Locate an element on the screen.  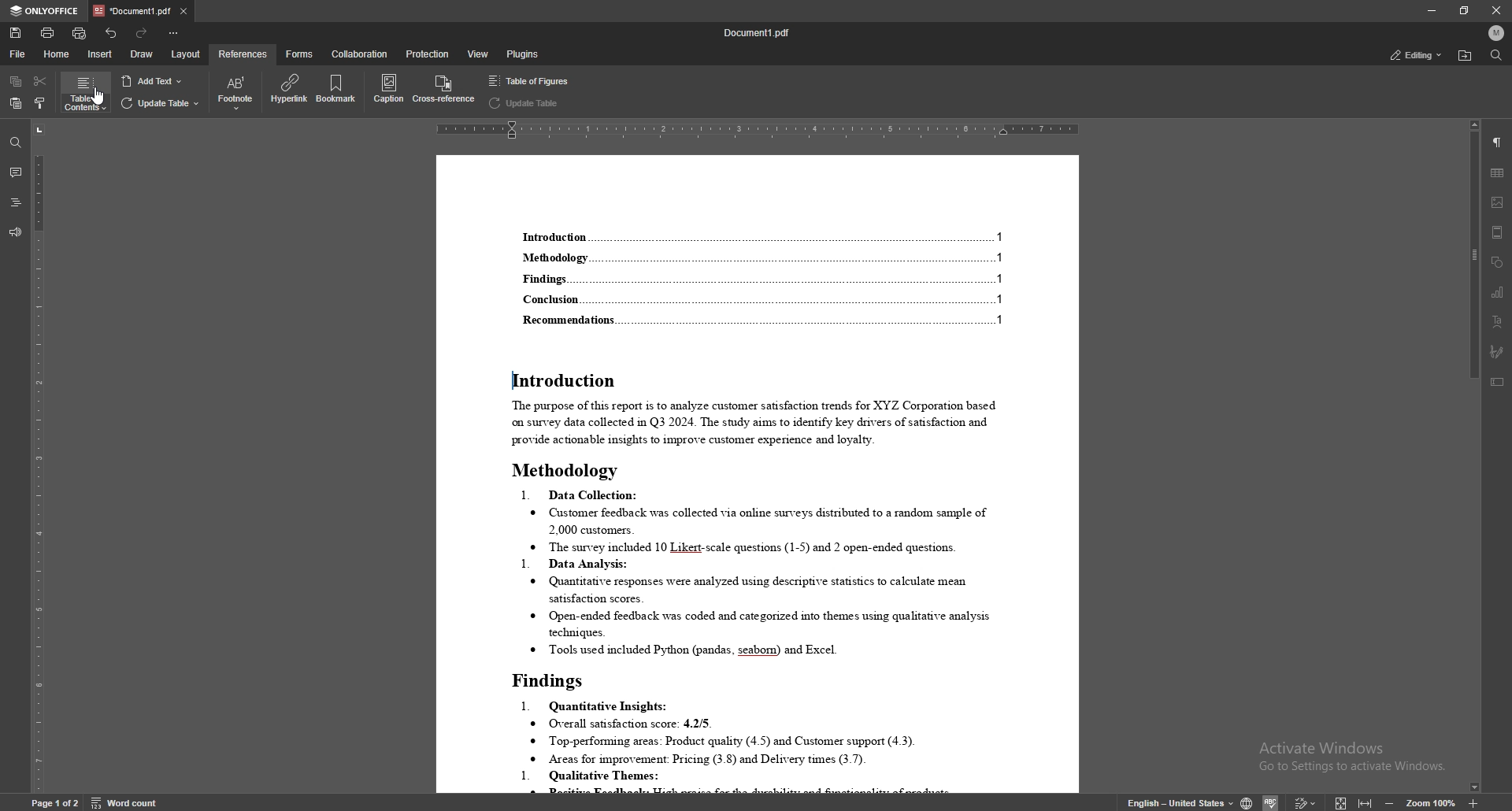
headings is located at coordinates (14, 202).